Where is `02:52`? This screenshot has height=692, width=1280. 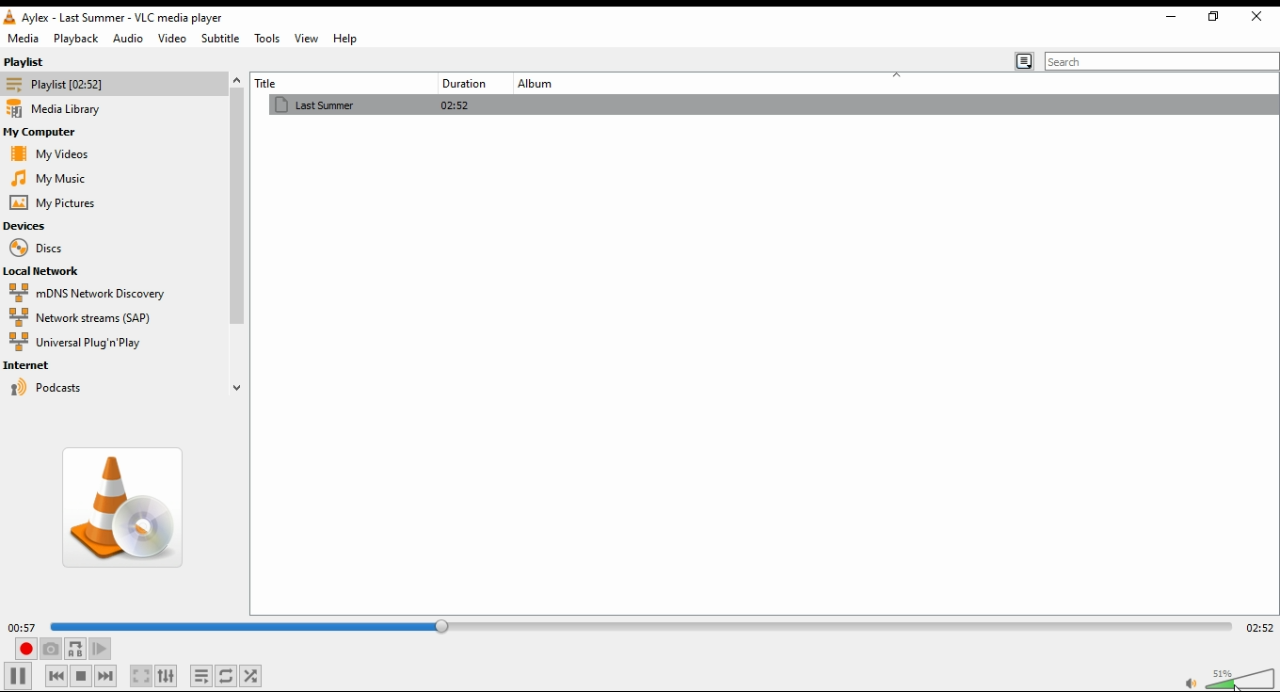
02:52 is located at coordinates (1260, 625).